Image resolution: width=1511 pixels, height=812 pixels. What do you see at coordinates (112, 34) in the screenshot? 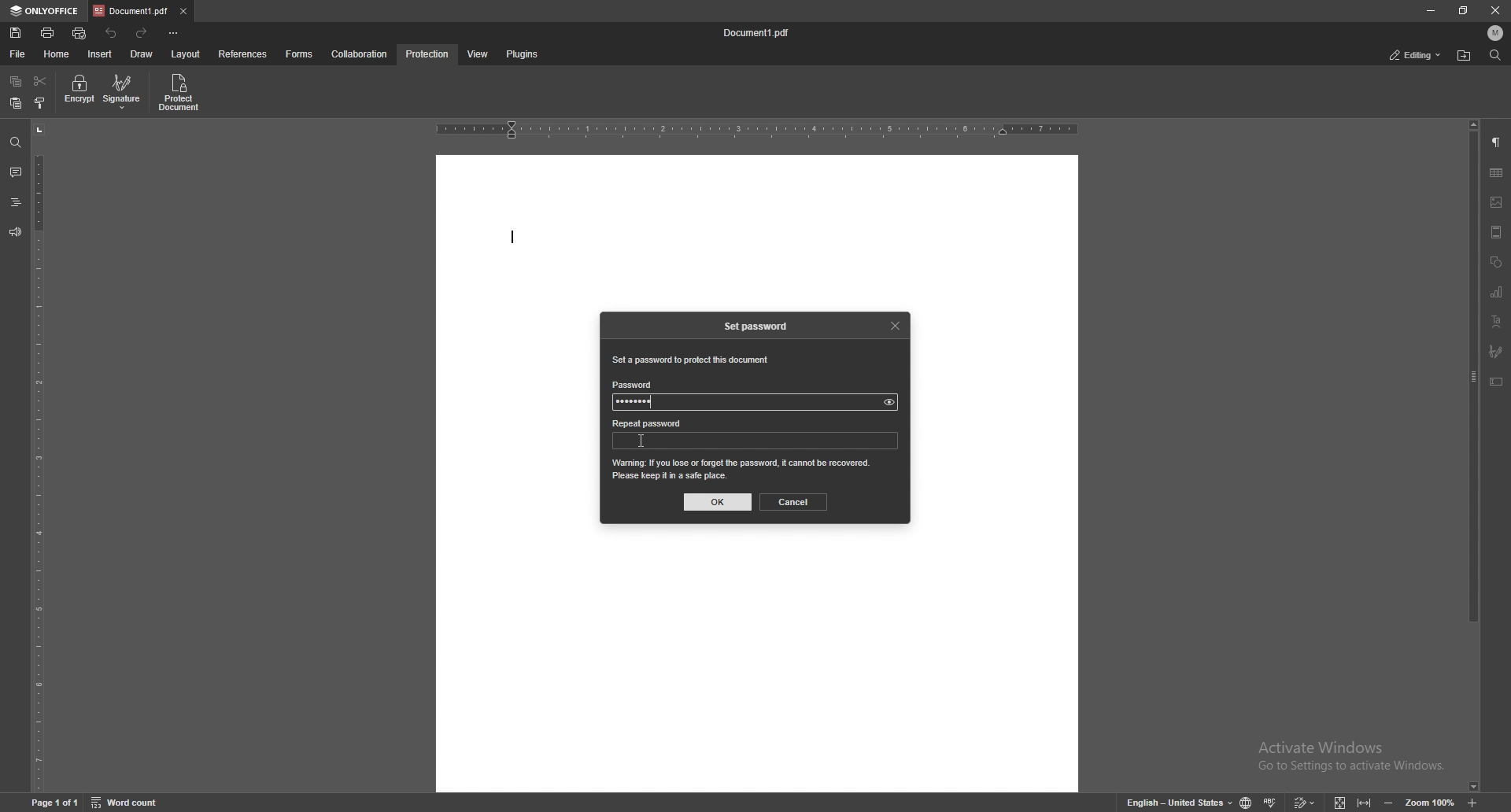
I see `undo` at bounding box center [112, 34].